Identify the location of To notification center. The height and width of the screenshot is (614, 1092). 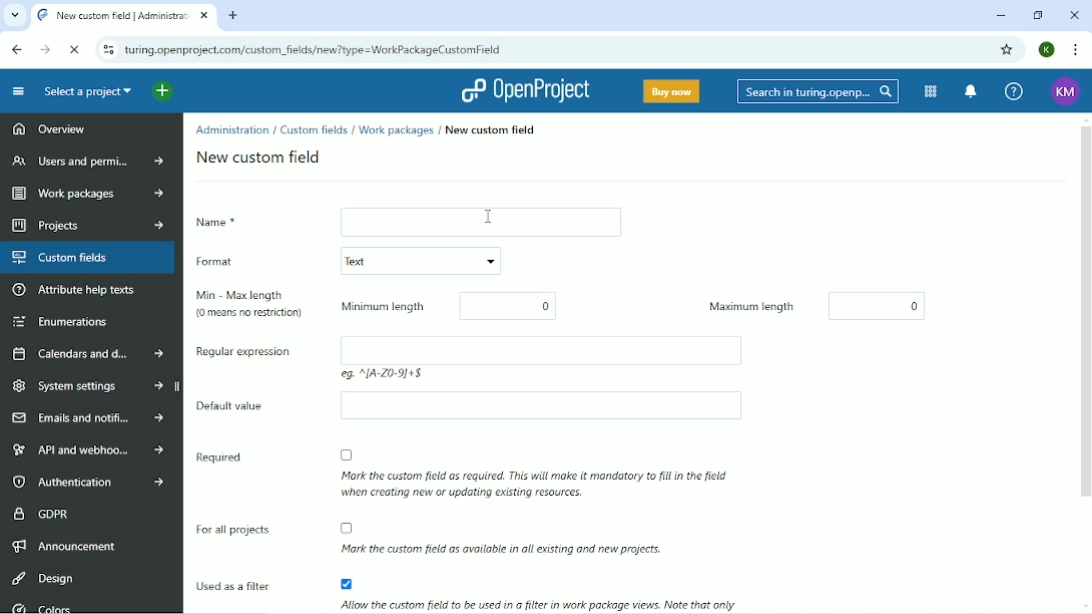
(971, 92).